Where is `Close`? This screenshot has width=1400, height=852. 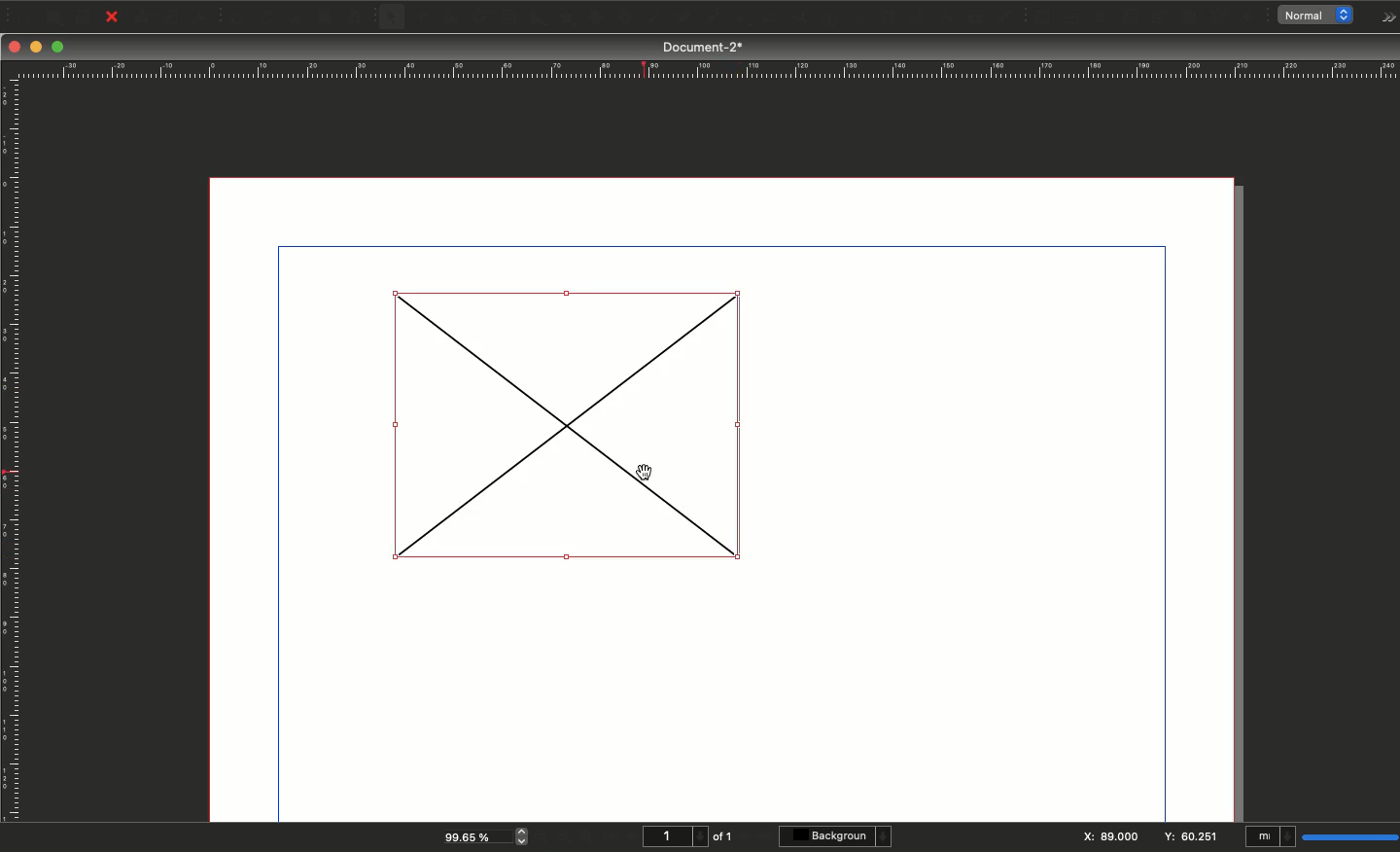 Close is located at coordinates (15, 47).